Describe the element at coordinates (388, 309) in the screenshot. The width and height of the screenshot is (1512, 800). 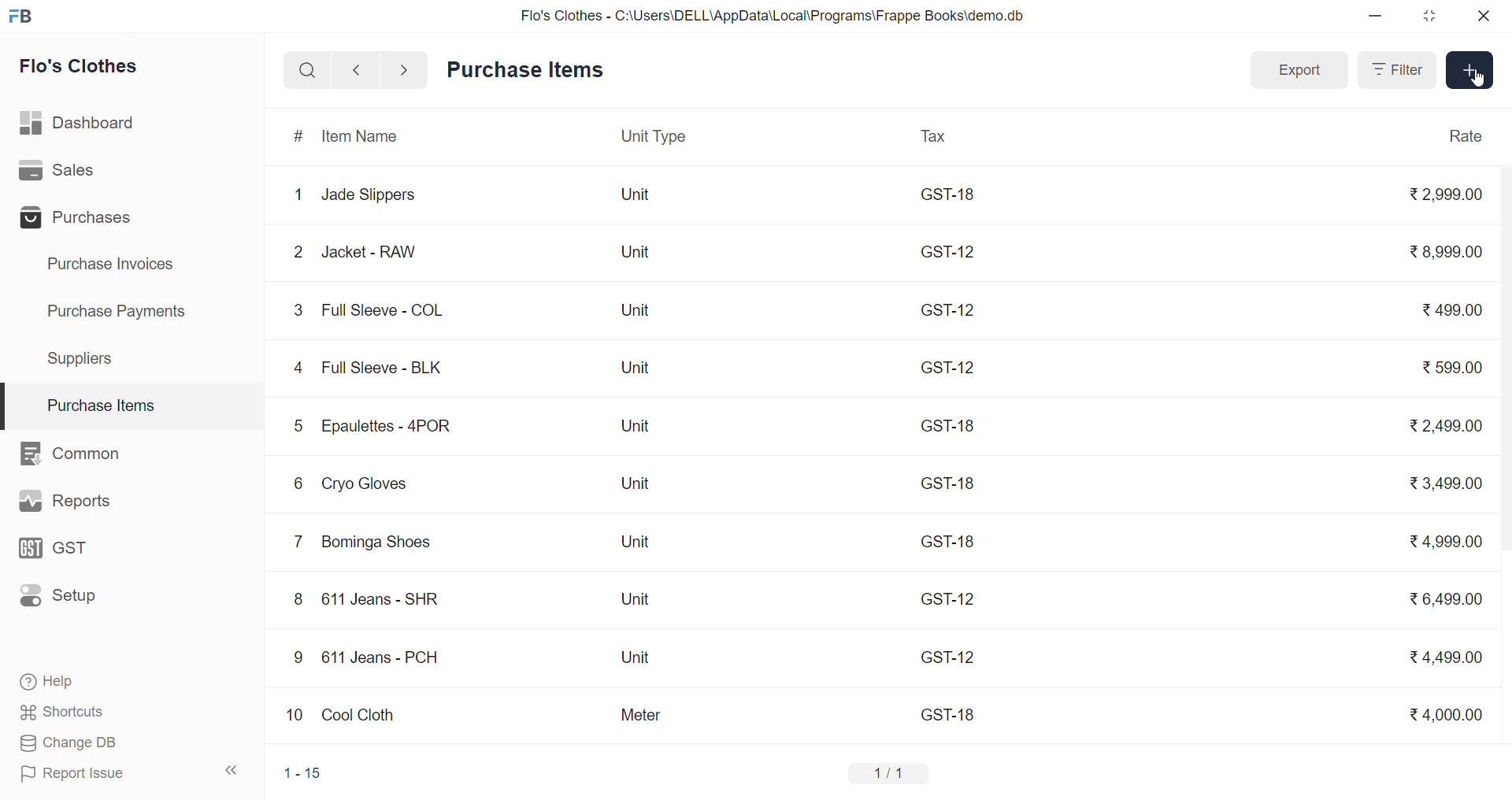
I see `Full Sleeve - COL` at that location.